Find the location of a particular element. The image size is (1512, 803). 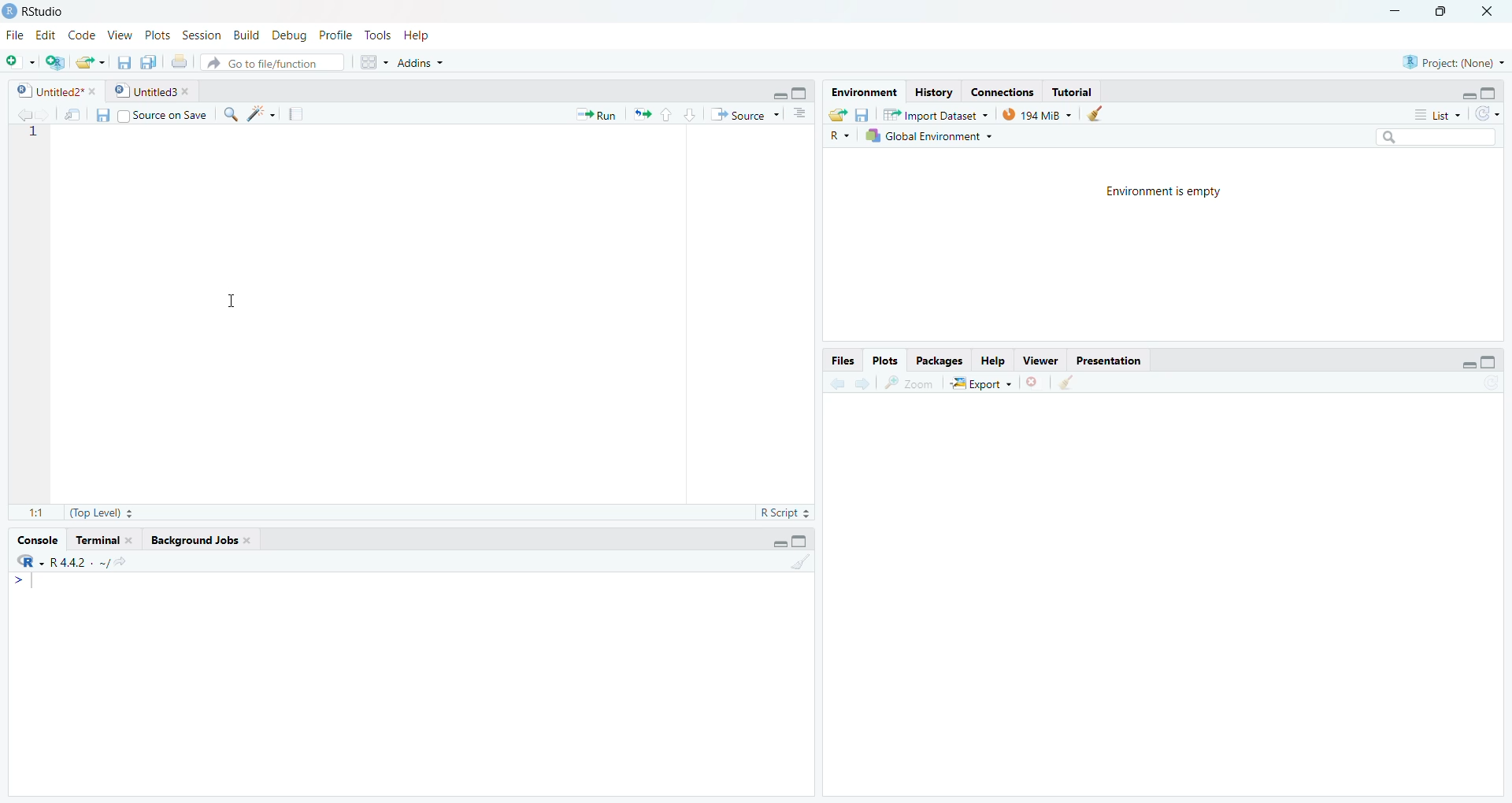

re-run the previoude code is located at coordinates (642, 115).